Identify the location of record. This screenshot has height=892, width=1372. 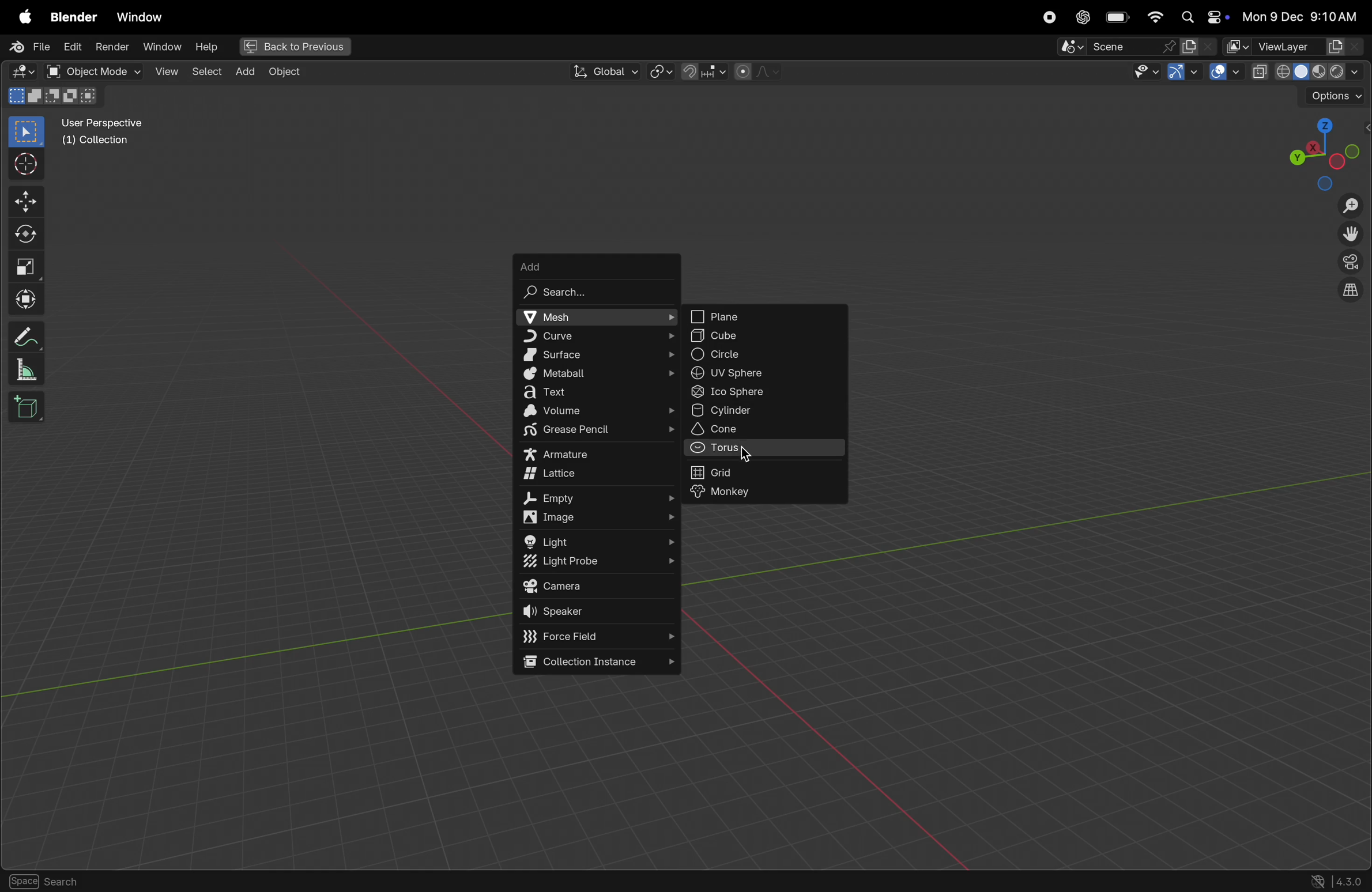
(1046, 17).